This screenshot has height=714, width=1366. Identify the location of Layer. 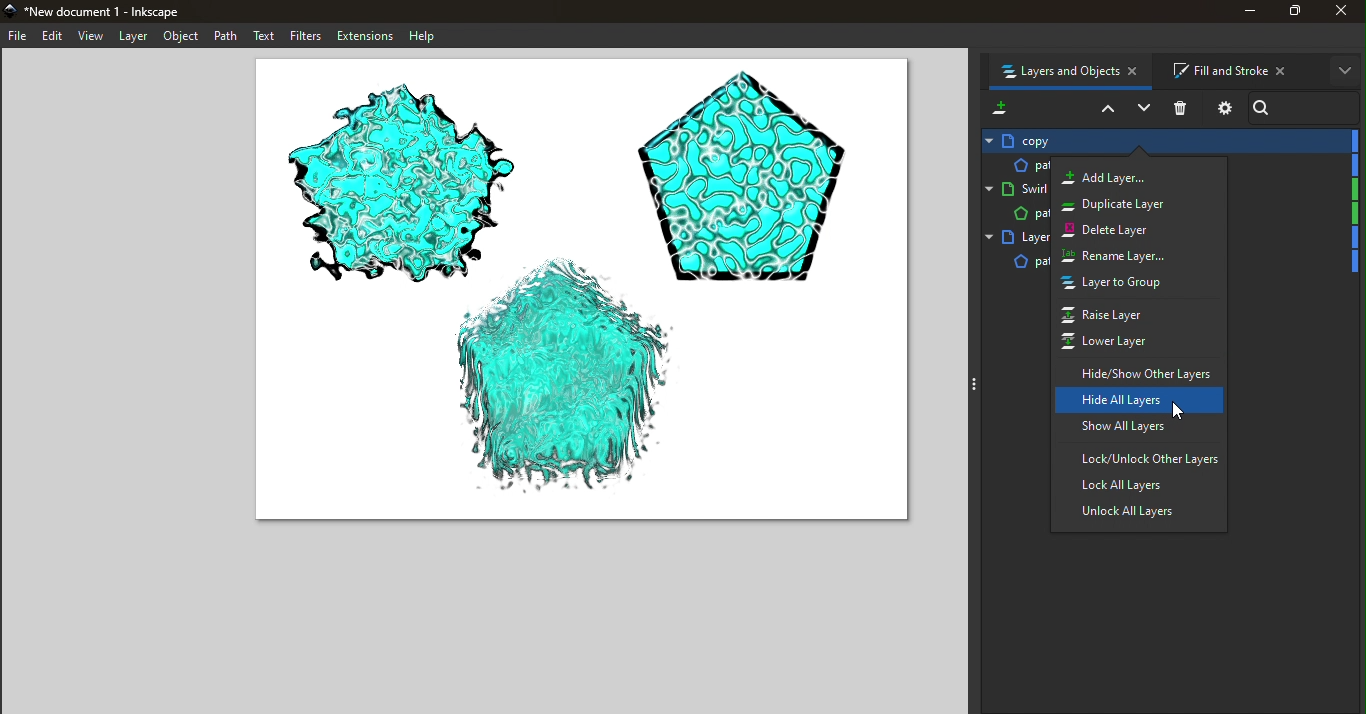
(1017, 215).